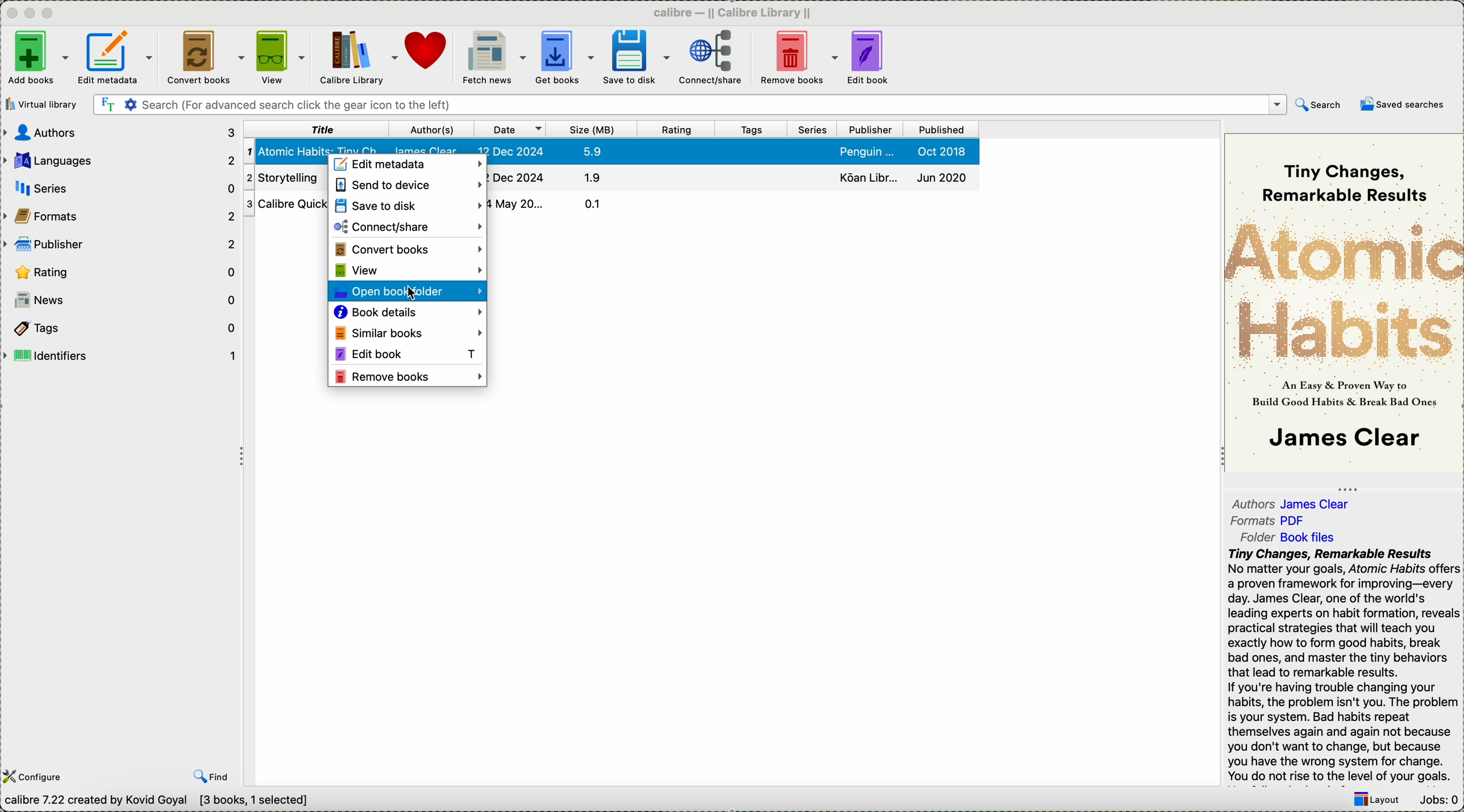  I want to click on details, so click(547, 202).